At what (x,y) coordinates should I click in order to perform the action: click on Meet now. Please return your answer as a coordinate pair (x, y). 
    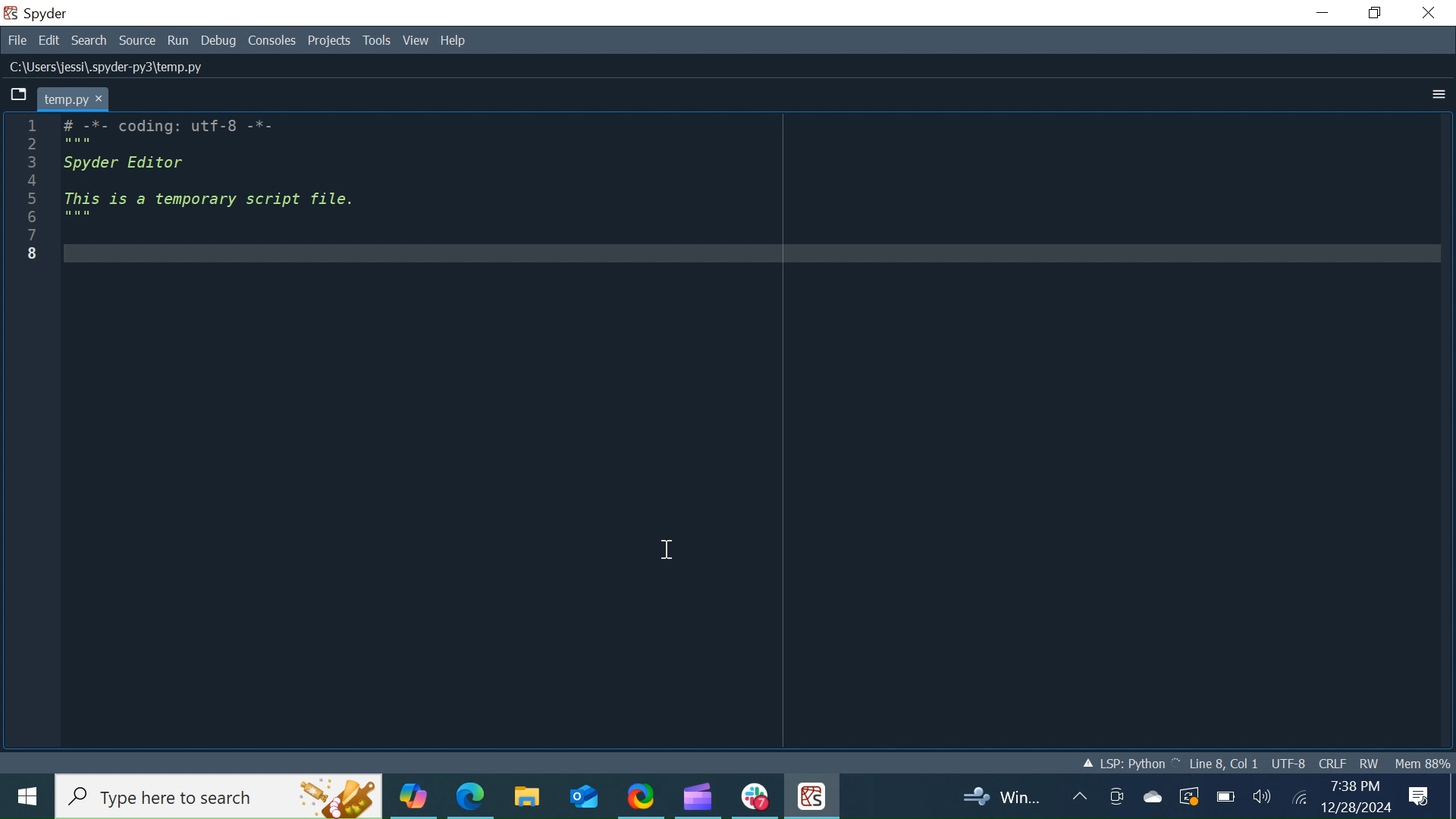
    Looking at the image, I should click on (1116, 798).